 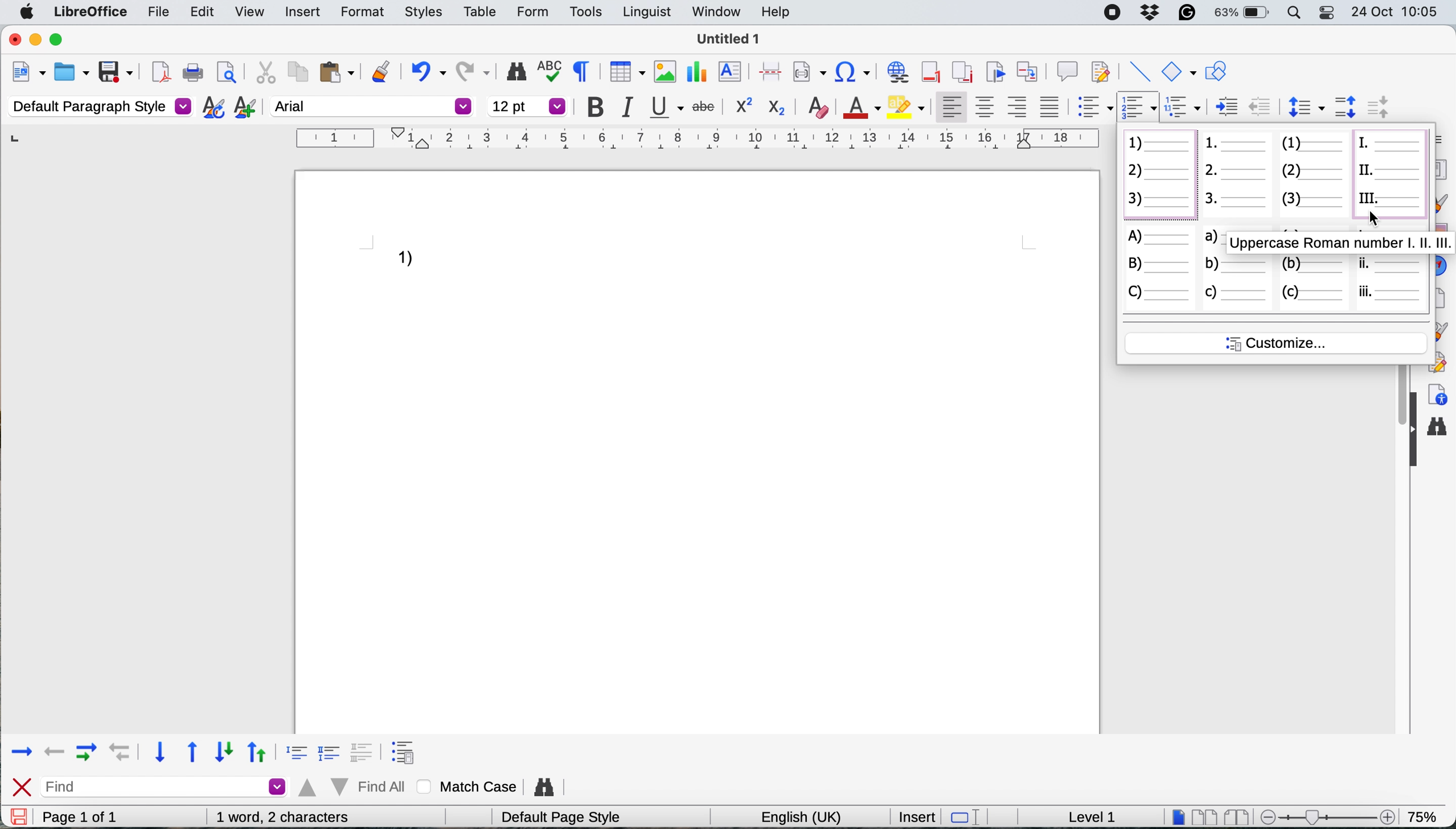 I want to click on standard selection, so click(x=972, y=816).